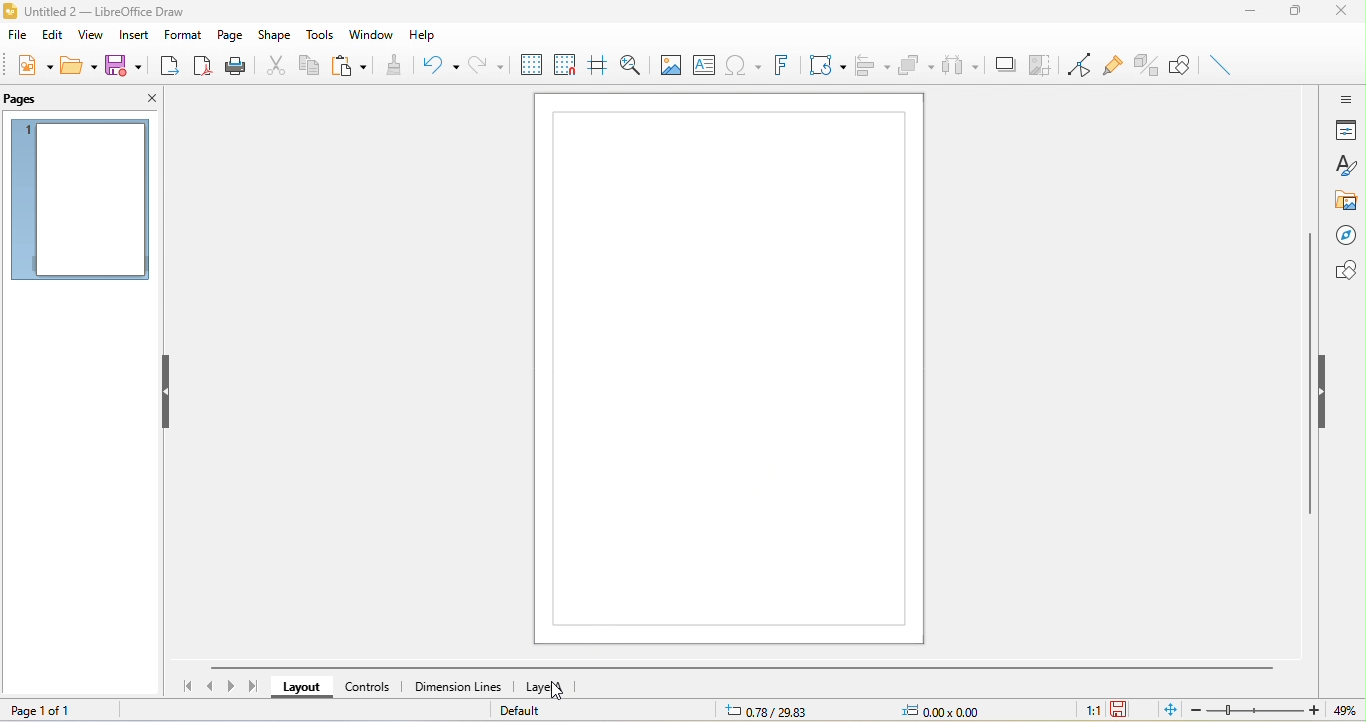 Image resolution: width=1366 pixels, height=722 pixels. Describe the element at coordinates (560, 693) in the screenshot. I see `cursor` at that location.